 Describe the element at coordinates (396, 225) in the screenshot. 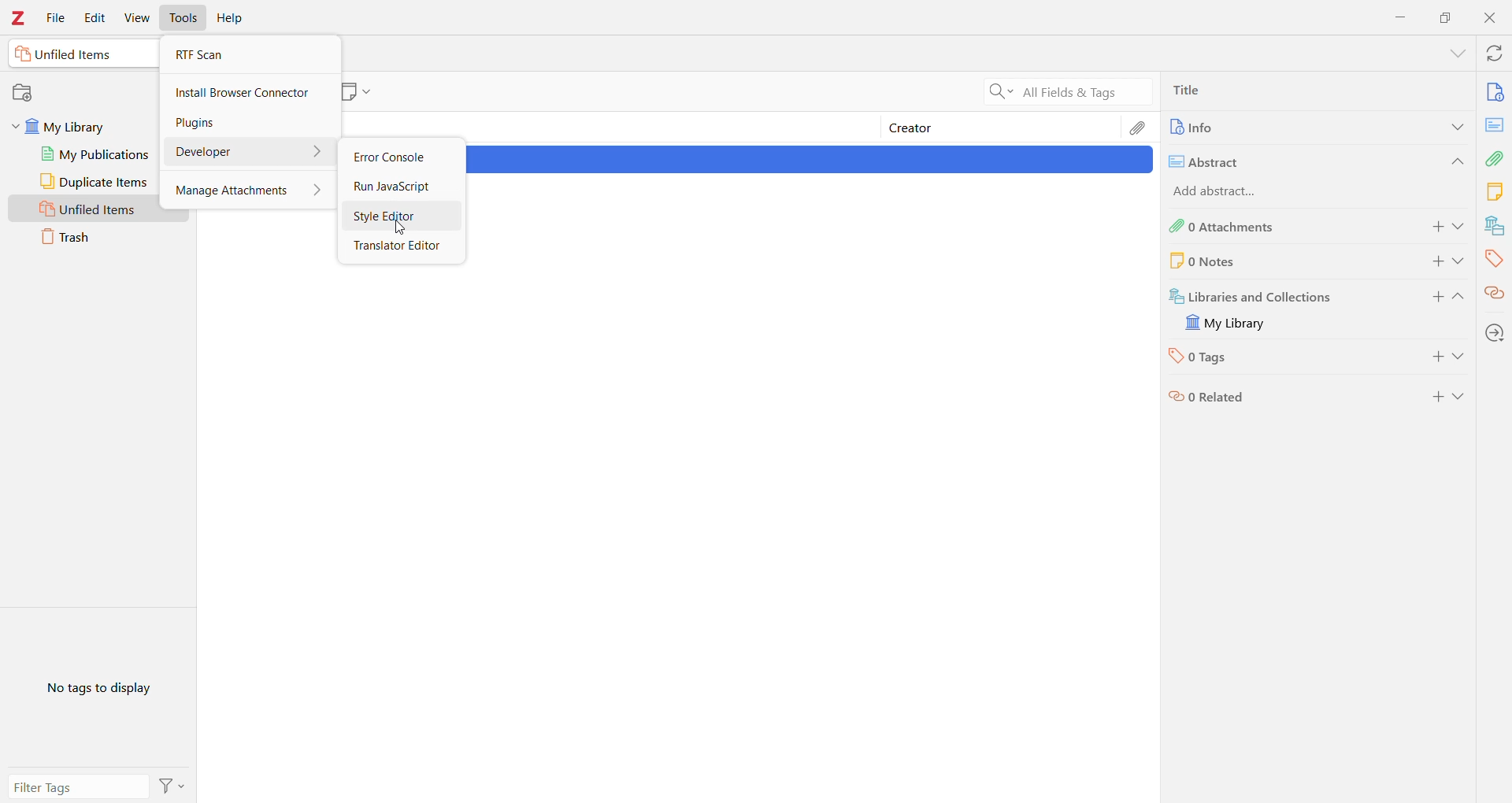

I see `Cursor` at that location.